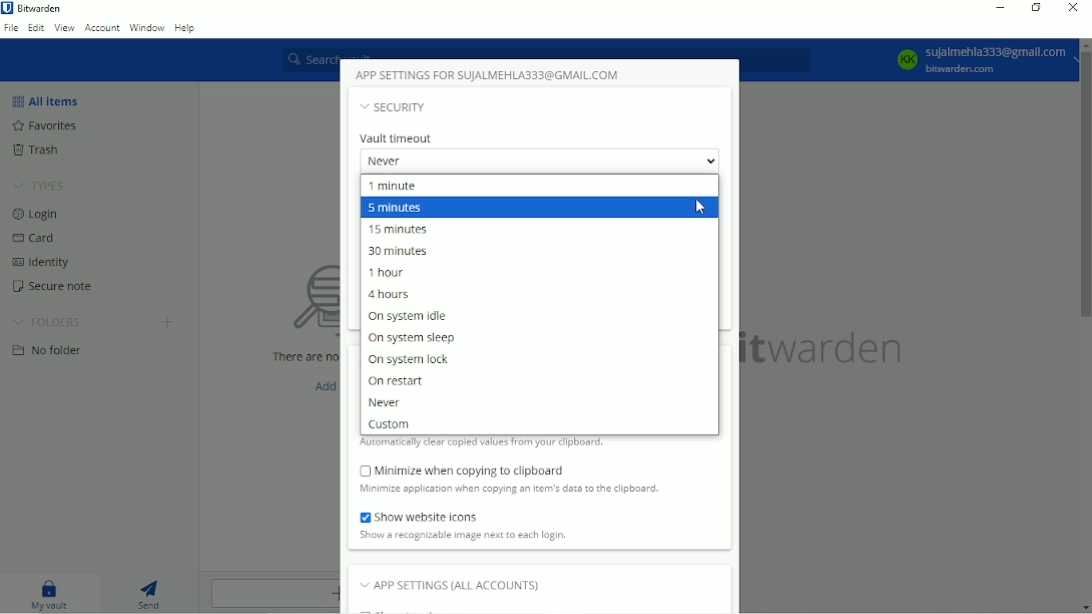  What do you see at coordinates (35, 215) in the screenshot?
I see `Login` at bounding box center [35, 215].